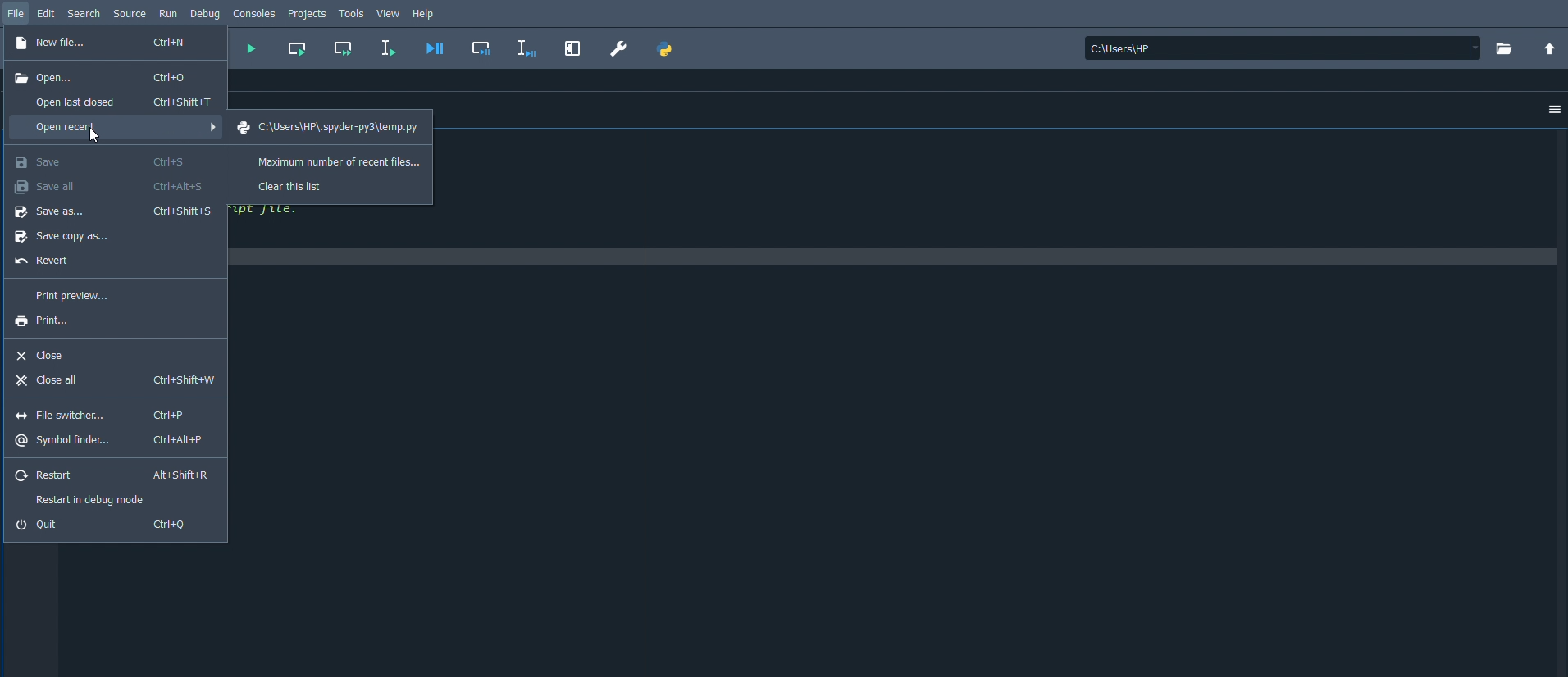  I want to click on Clear this list, so click(294, 184).